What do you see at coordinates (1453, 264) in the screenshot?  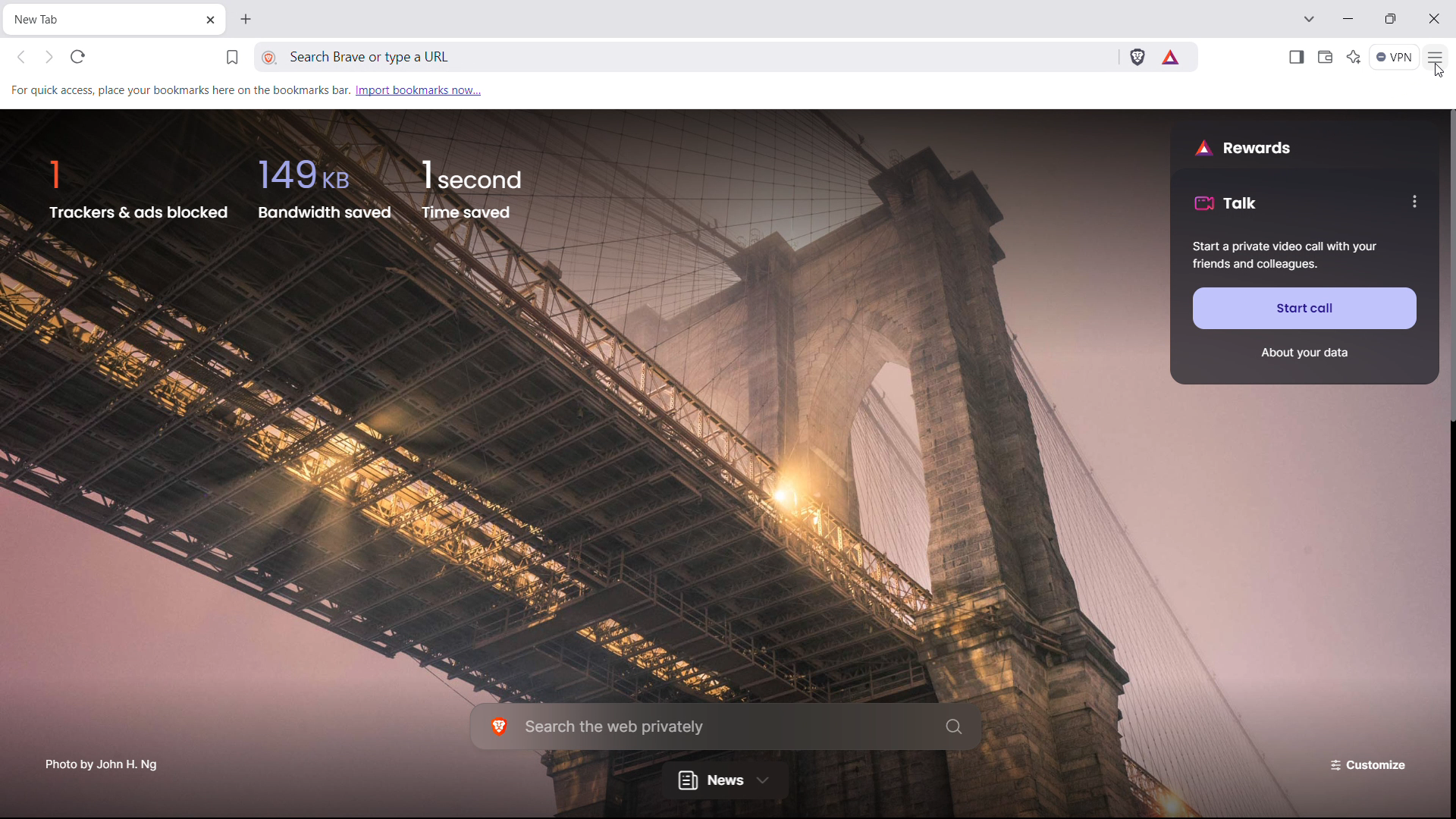 I see `scrollbar` at bounding box center [1453, 264].